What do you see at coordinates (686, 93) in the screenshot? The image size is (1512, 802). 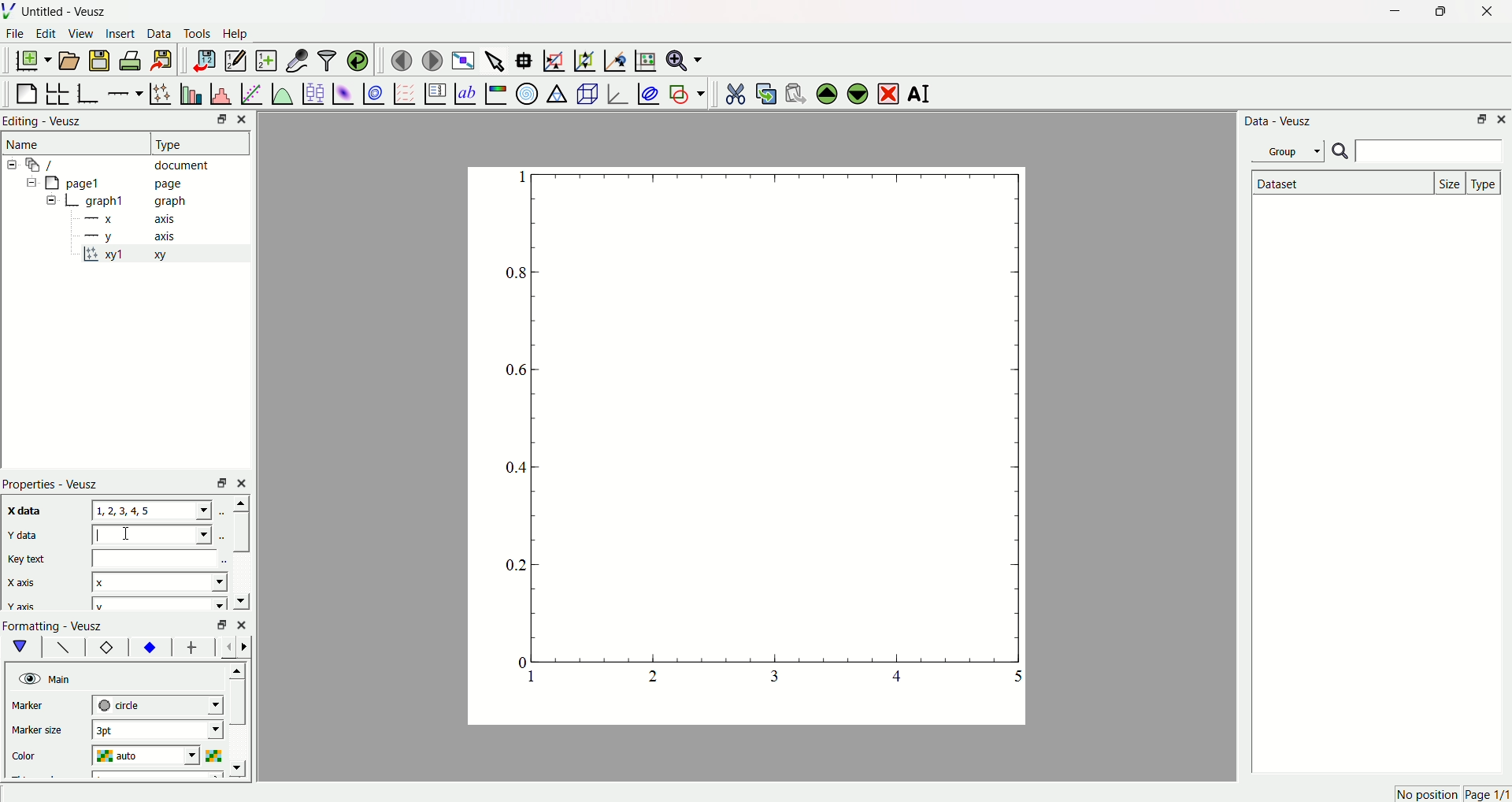 I see `add a shape ` at bounding box center [686, 93].